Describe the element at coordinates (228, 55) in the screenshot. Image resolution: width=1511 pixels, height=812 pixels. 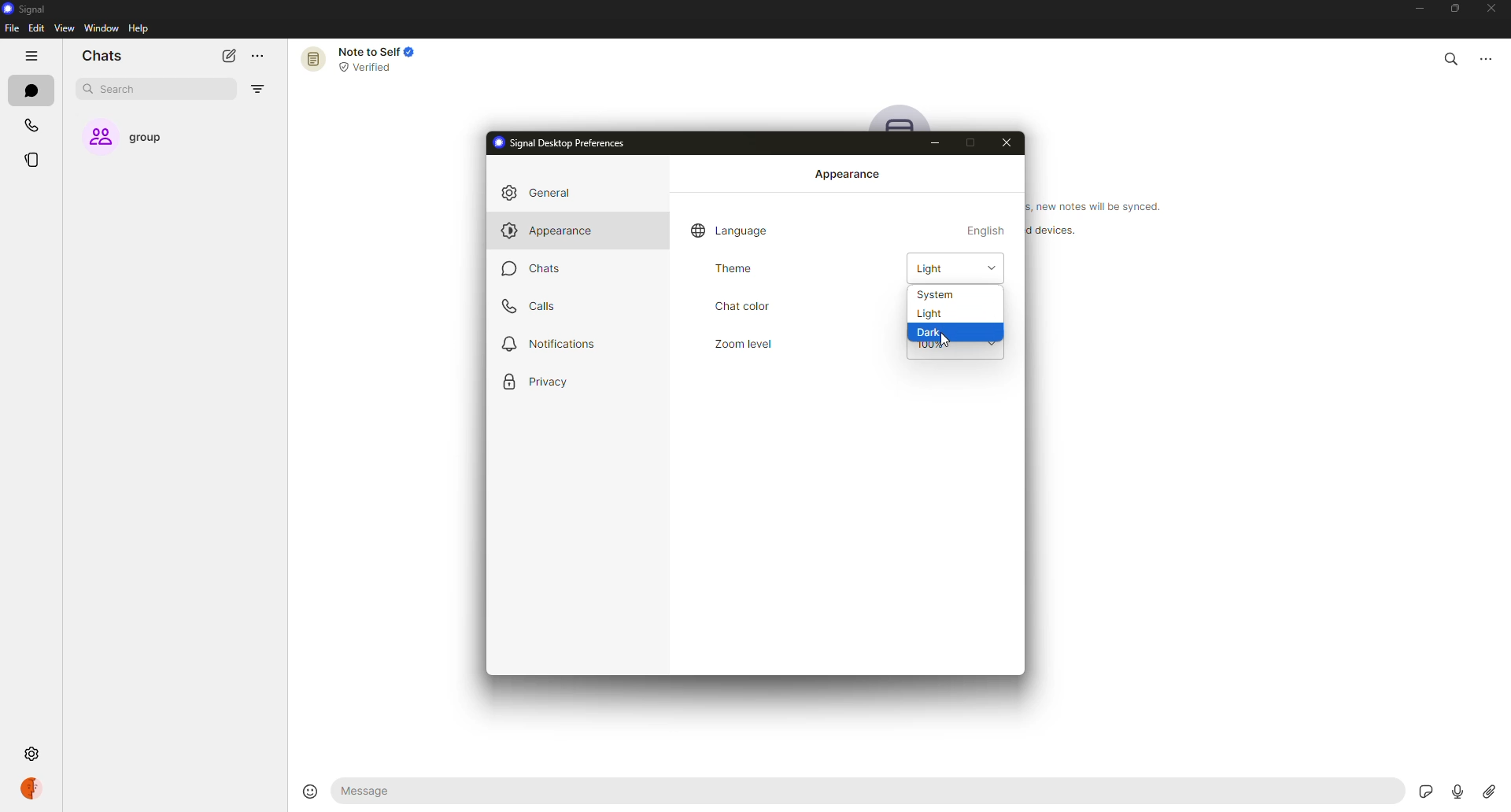
I see `new chat` at that location.